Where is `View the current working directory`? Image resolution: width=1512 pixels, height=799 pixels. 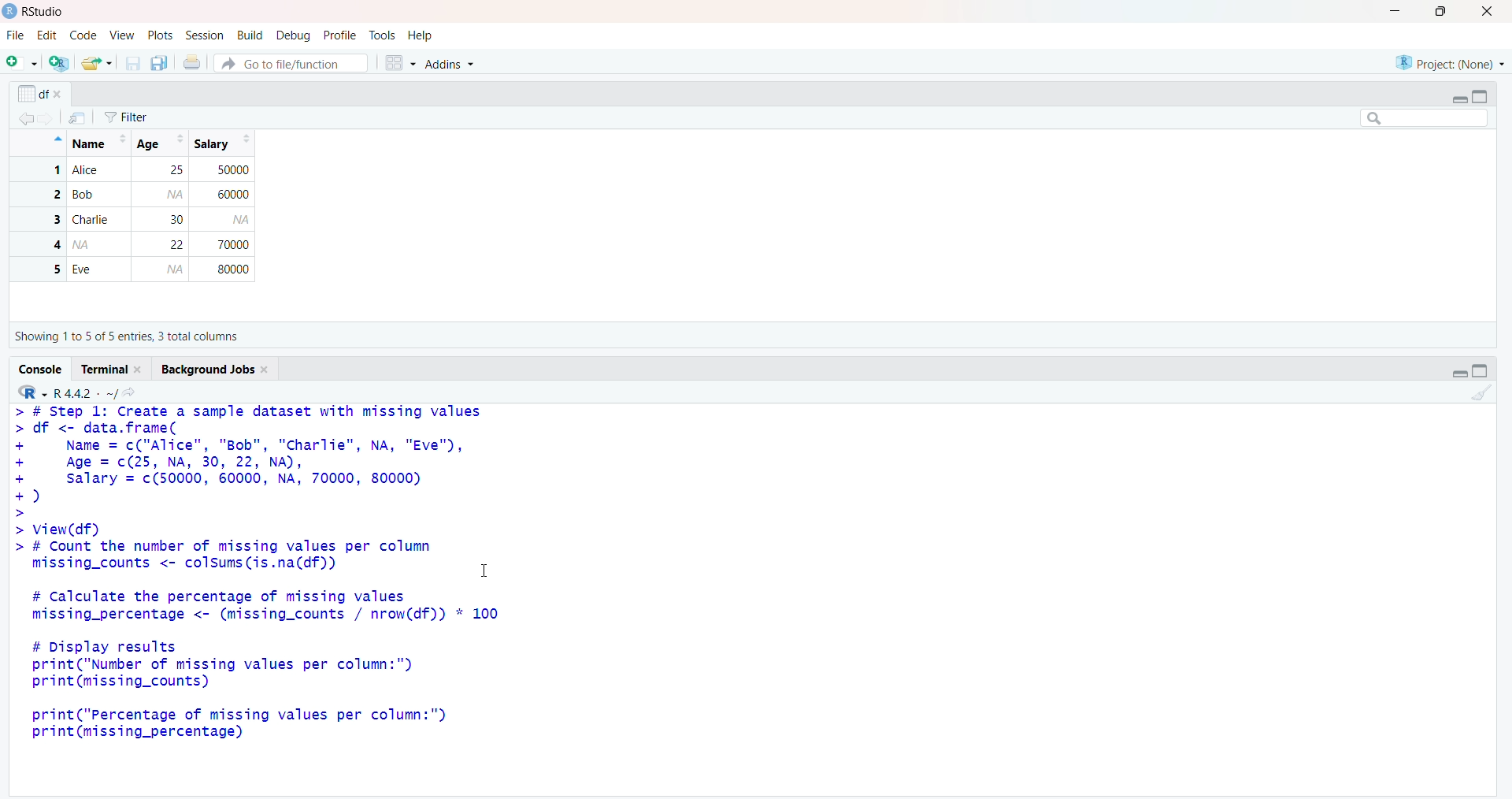
View the current working directory is located at coordinates (132, 392).